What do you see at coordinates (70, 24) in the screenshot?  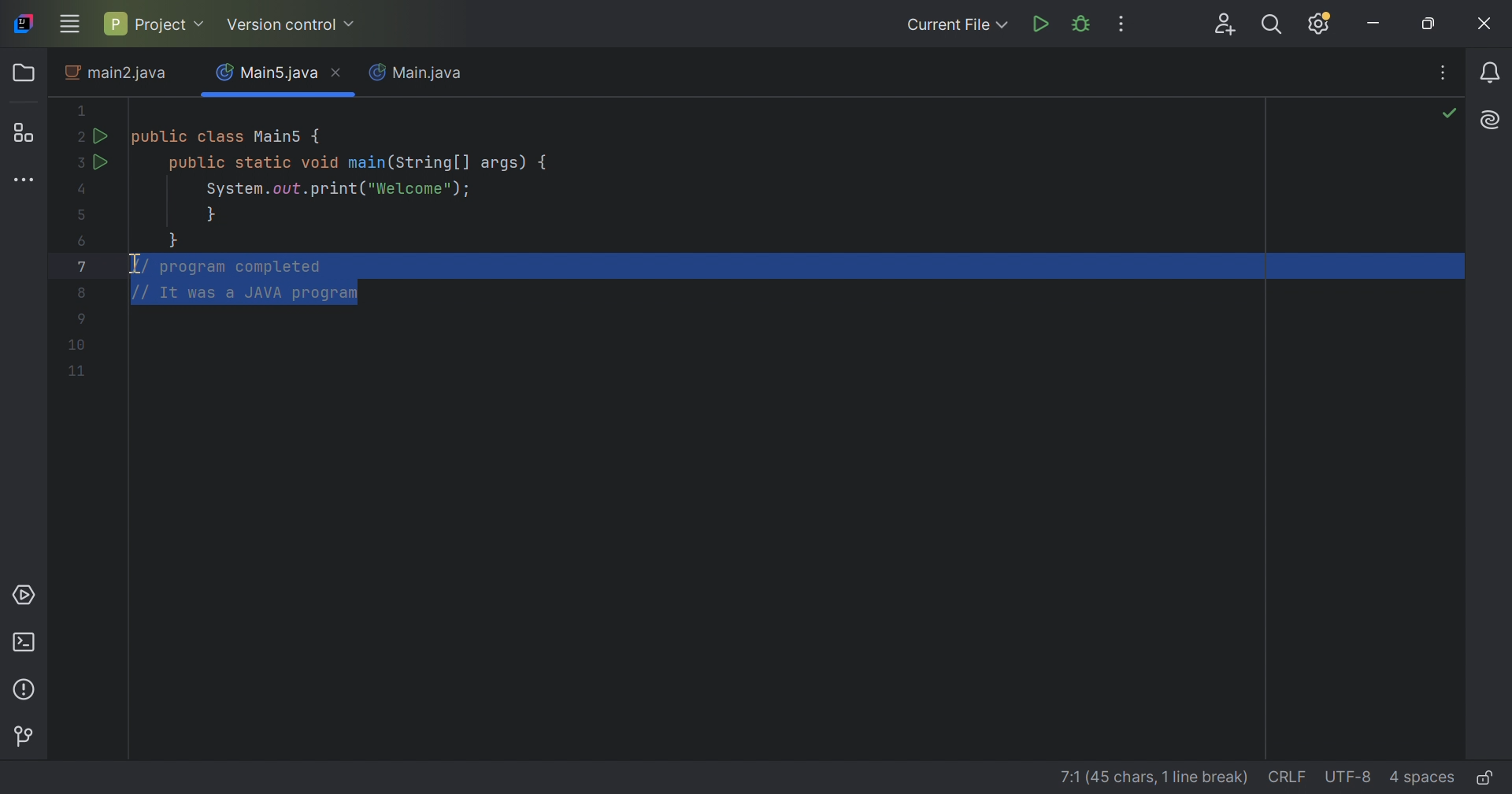 I see `Main menu` at bounding box center [70, 24].